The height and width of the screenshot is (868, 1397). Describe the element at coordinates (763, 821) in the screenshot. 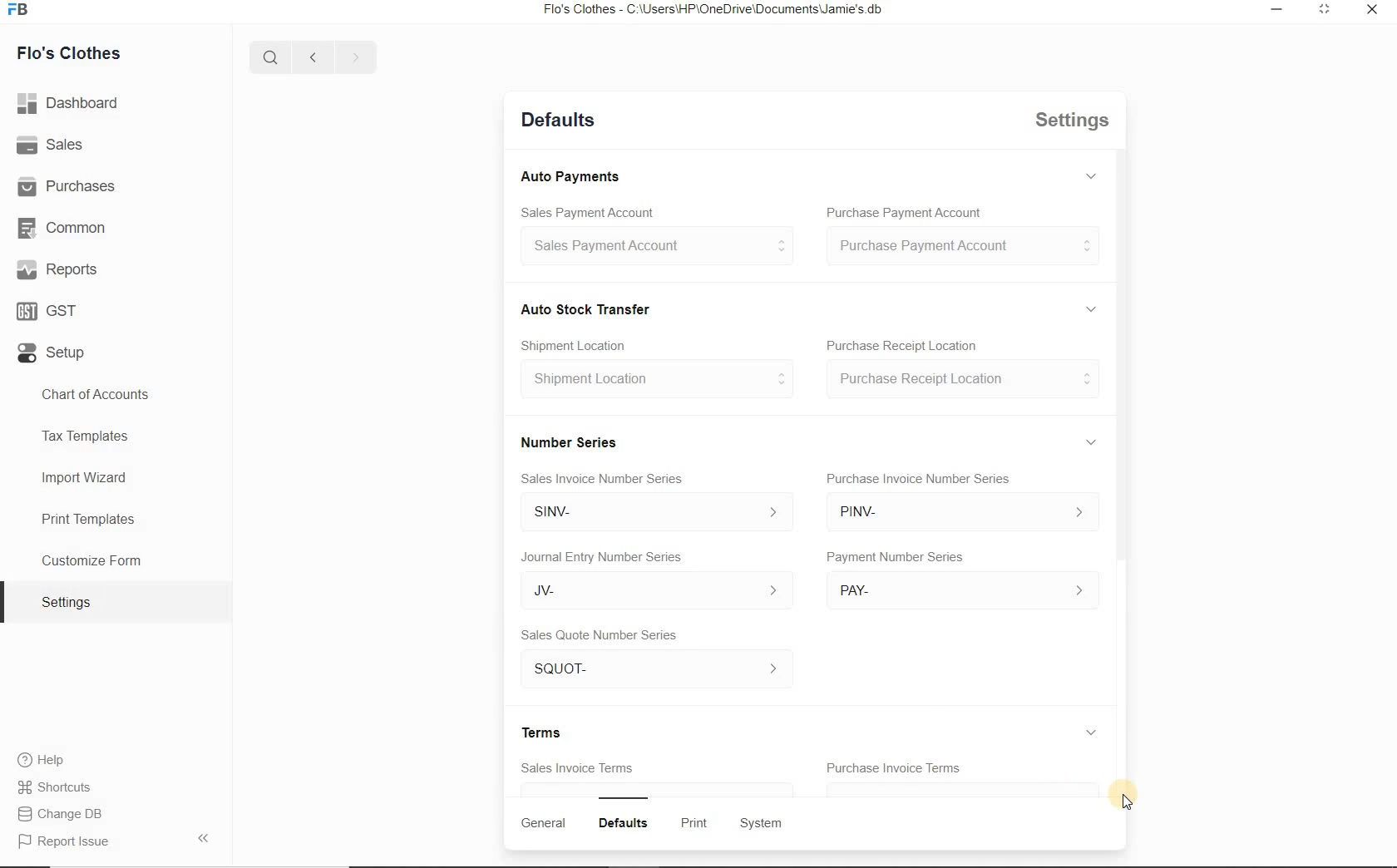

I see `System` at that location.